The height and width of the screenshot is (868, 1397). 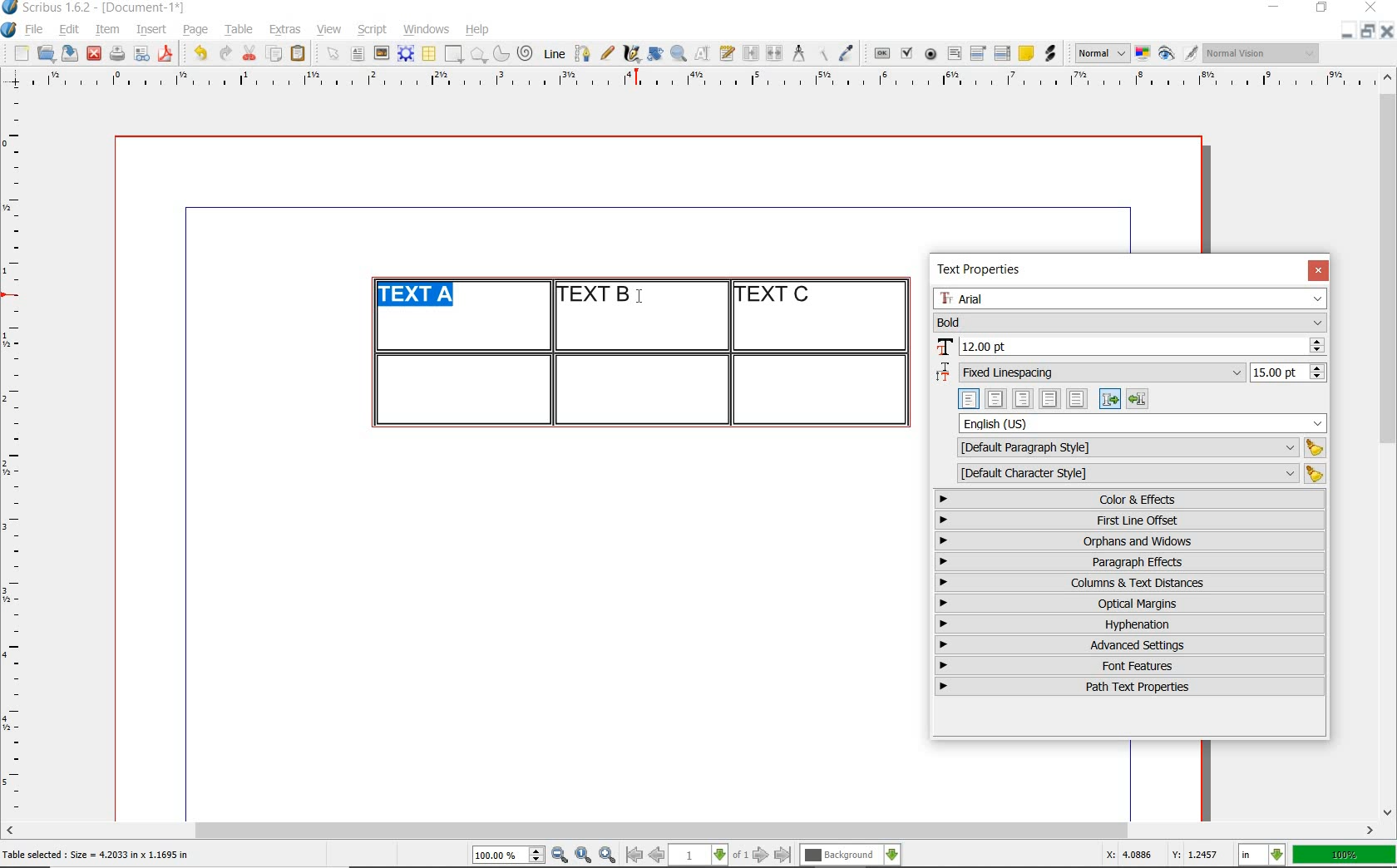 I want to click on columns & text distances, so click(x=1133, y=583).